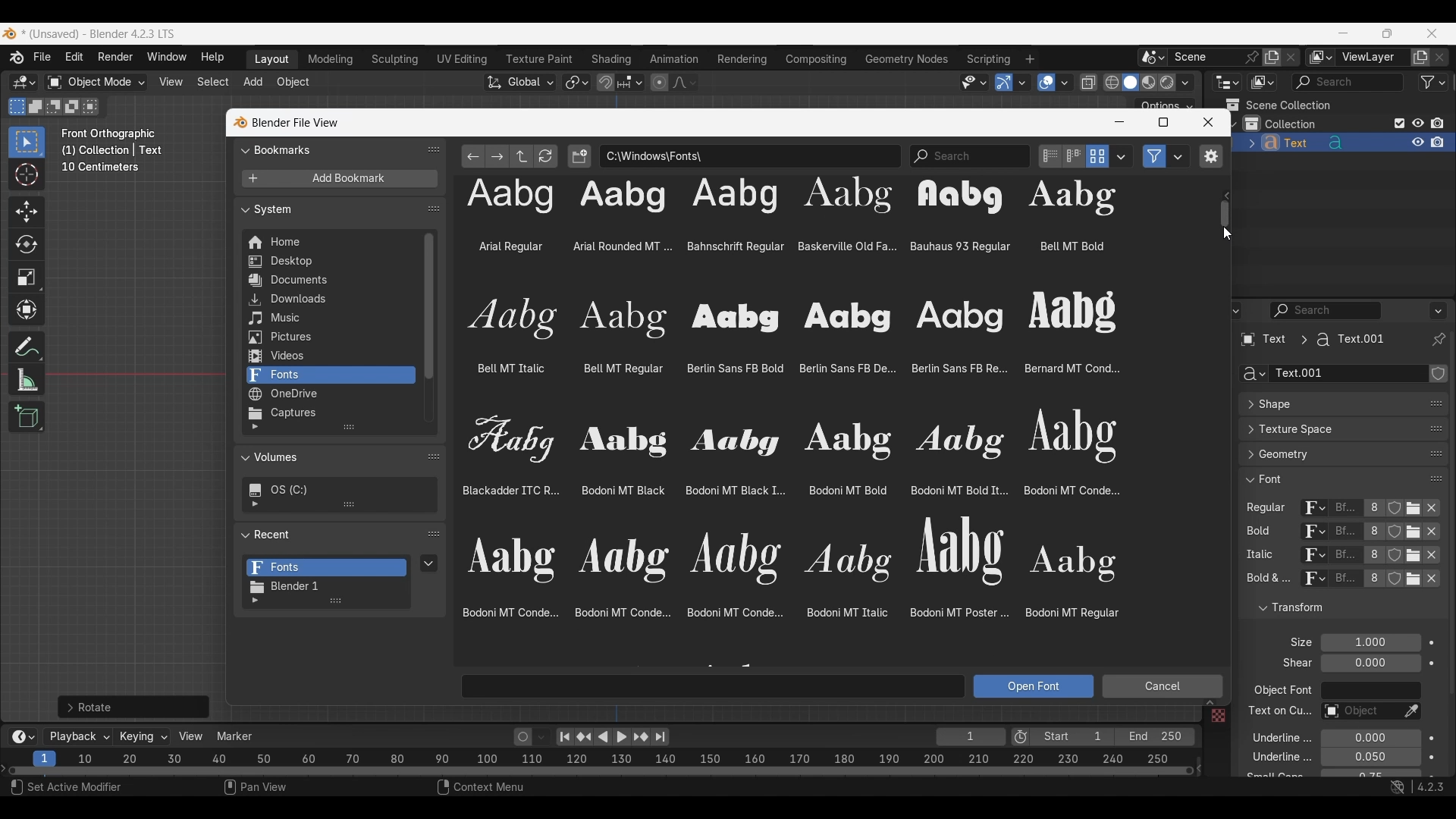  What do you see at coordinates (1210, 156) in the screenshot?
I see `Toggle region` at bounding box center [1210, 156].